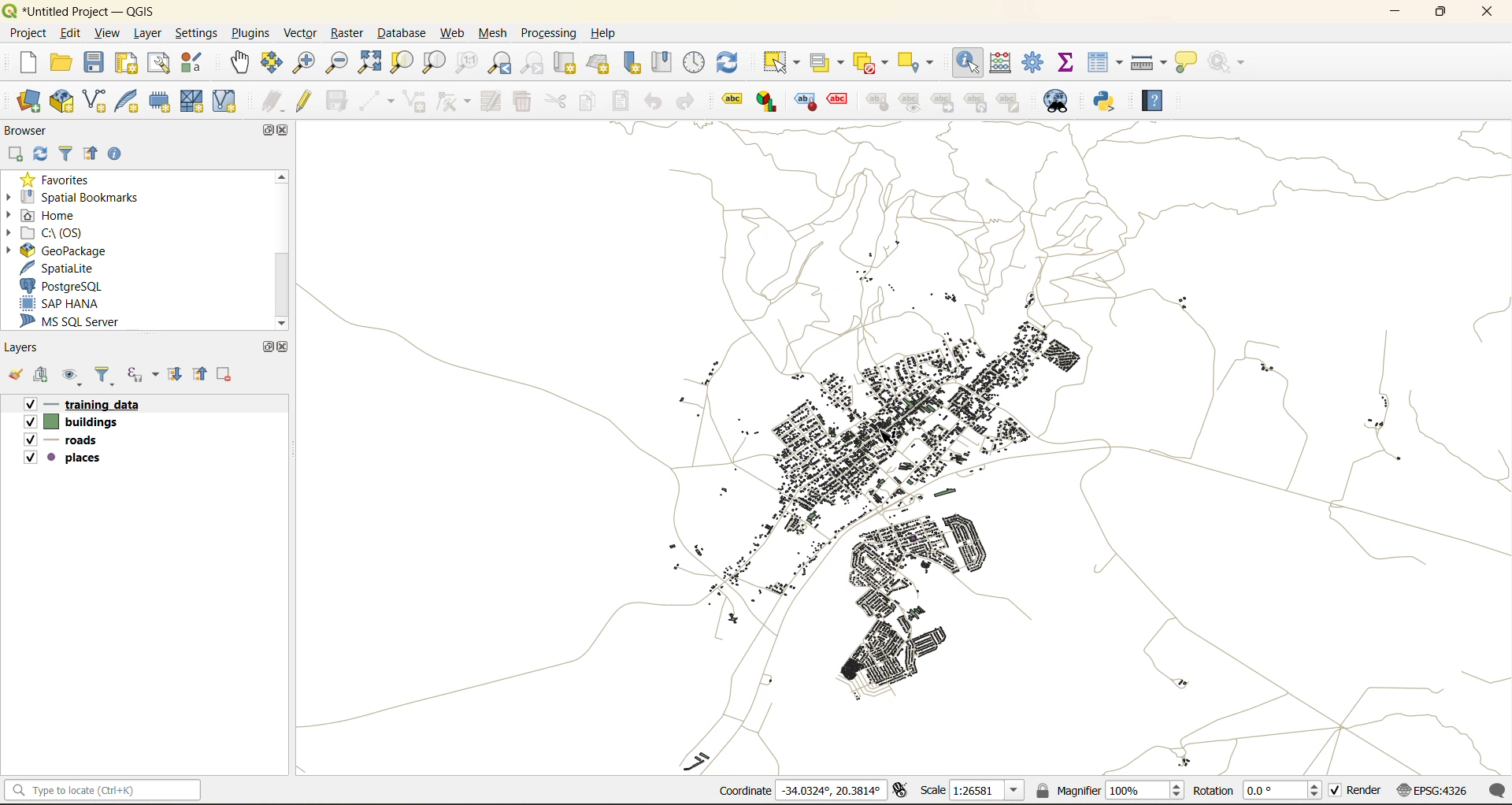 The image size is (1512, 805). Describe the element at coordinates (920, 63) in the screenshot. I see `select location` at that location.